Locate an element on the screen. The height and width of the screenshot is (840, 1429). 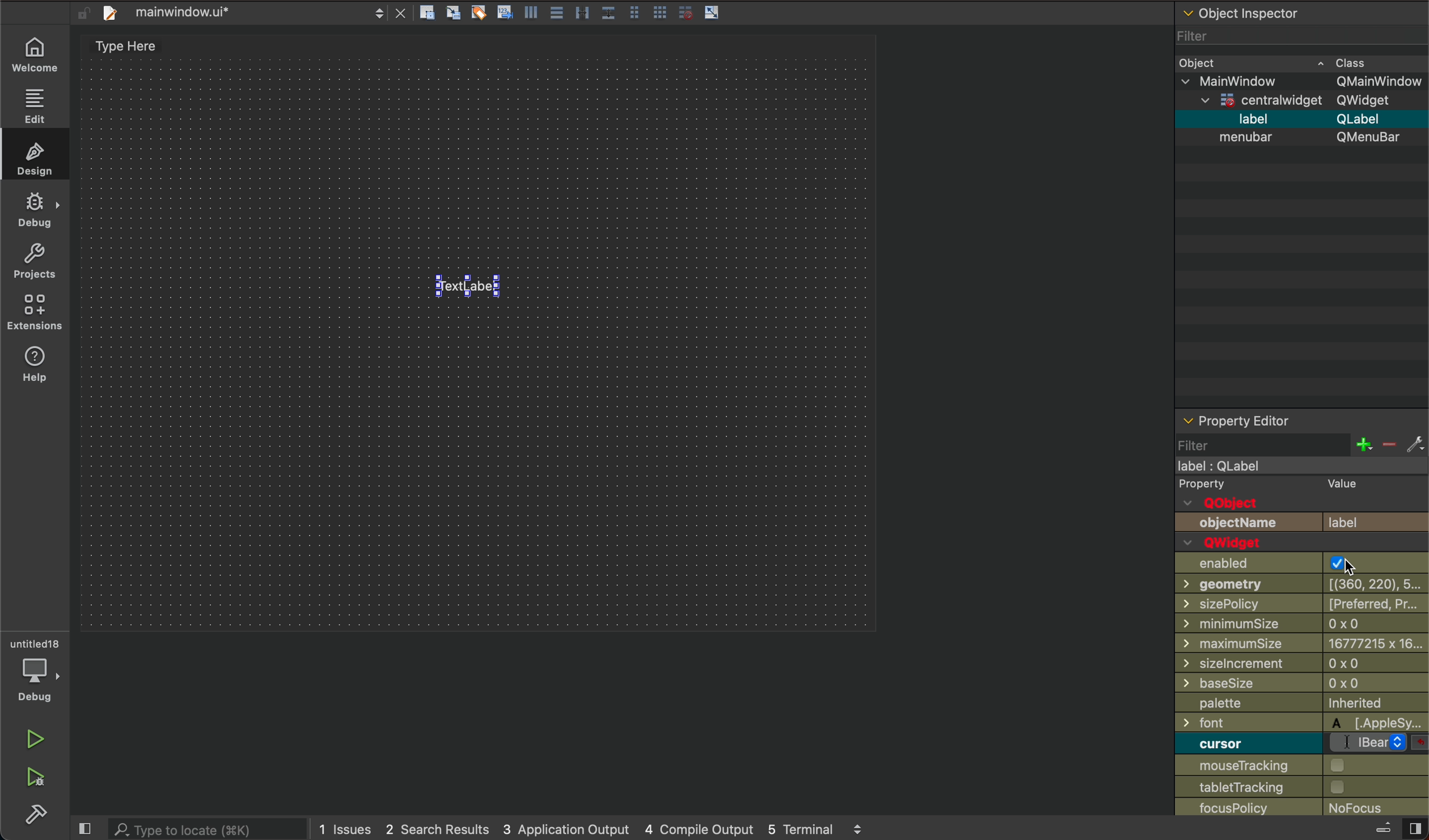
geometry is located at coordinates (1244, 583).